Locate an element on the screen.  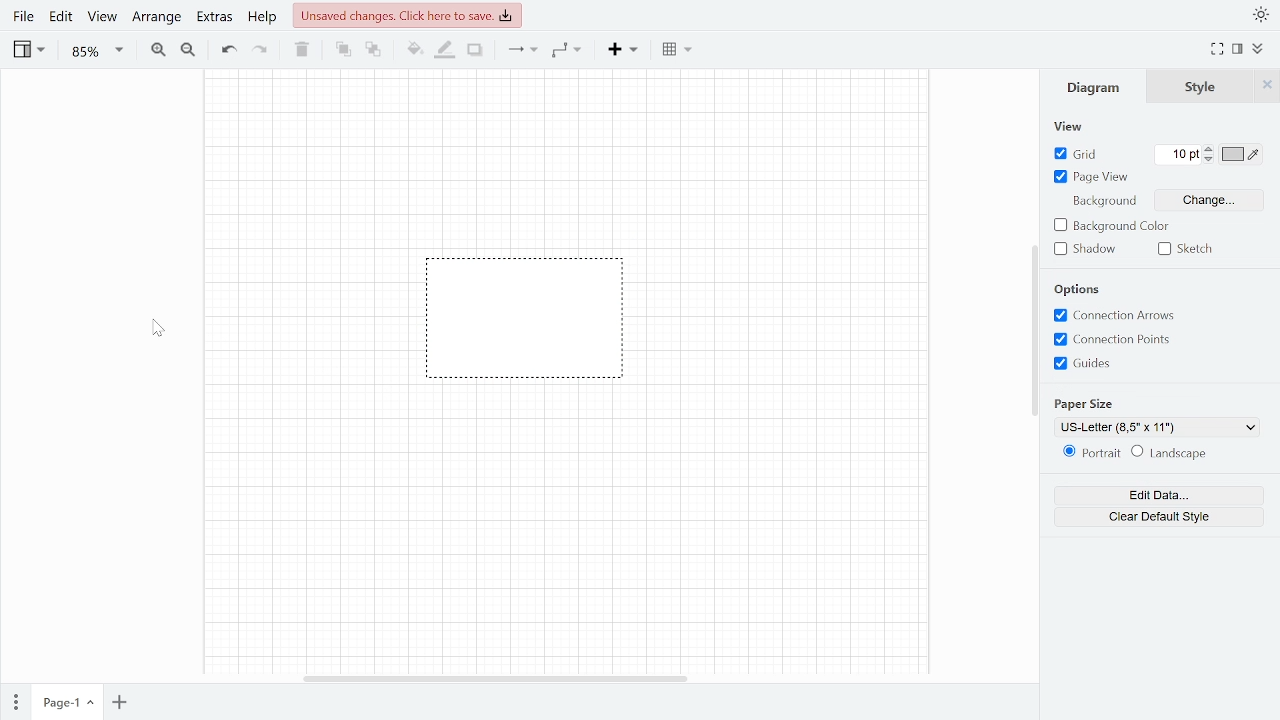
Guides is located at coordinates (1112, 364).